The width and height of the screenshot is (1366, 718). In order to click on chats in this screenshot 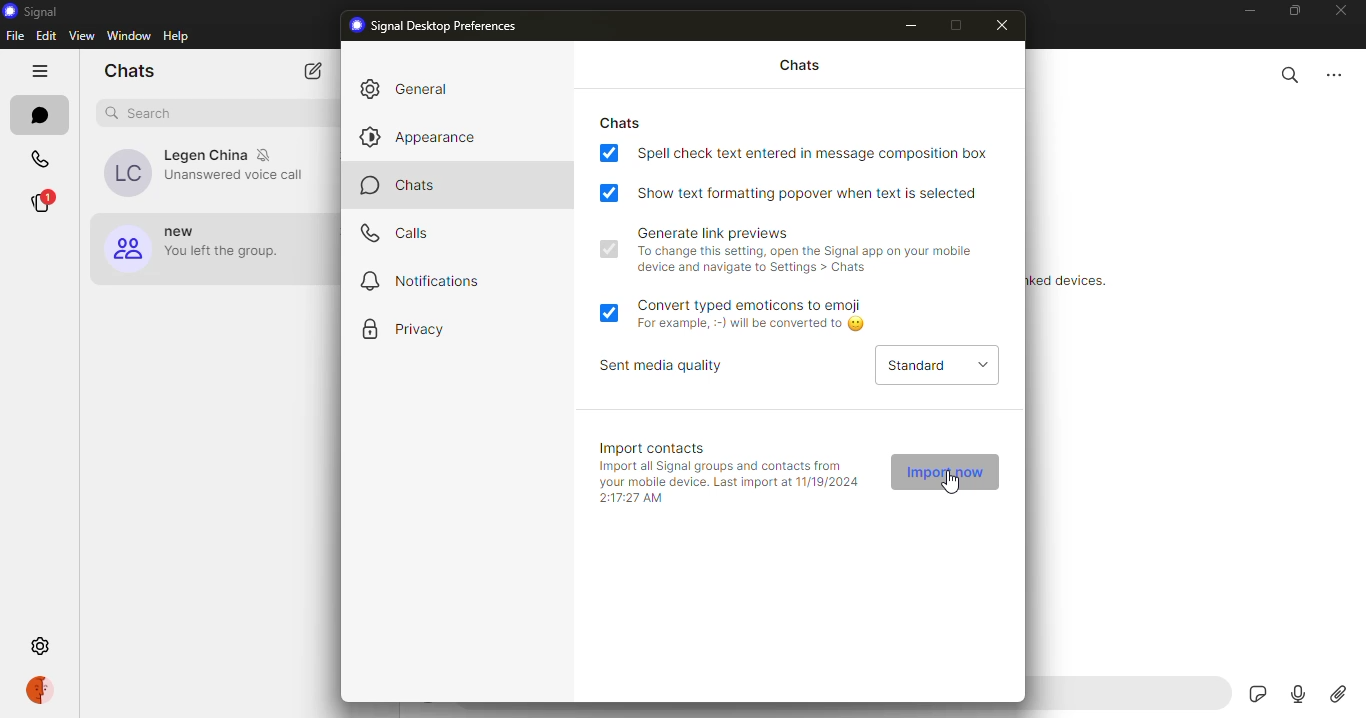, I will do `click(129, 70)`.